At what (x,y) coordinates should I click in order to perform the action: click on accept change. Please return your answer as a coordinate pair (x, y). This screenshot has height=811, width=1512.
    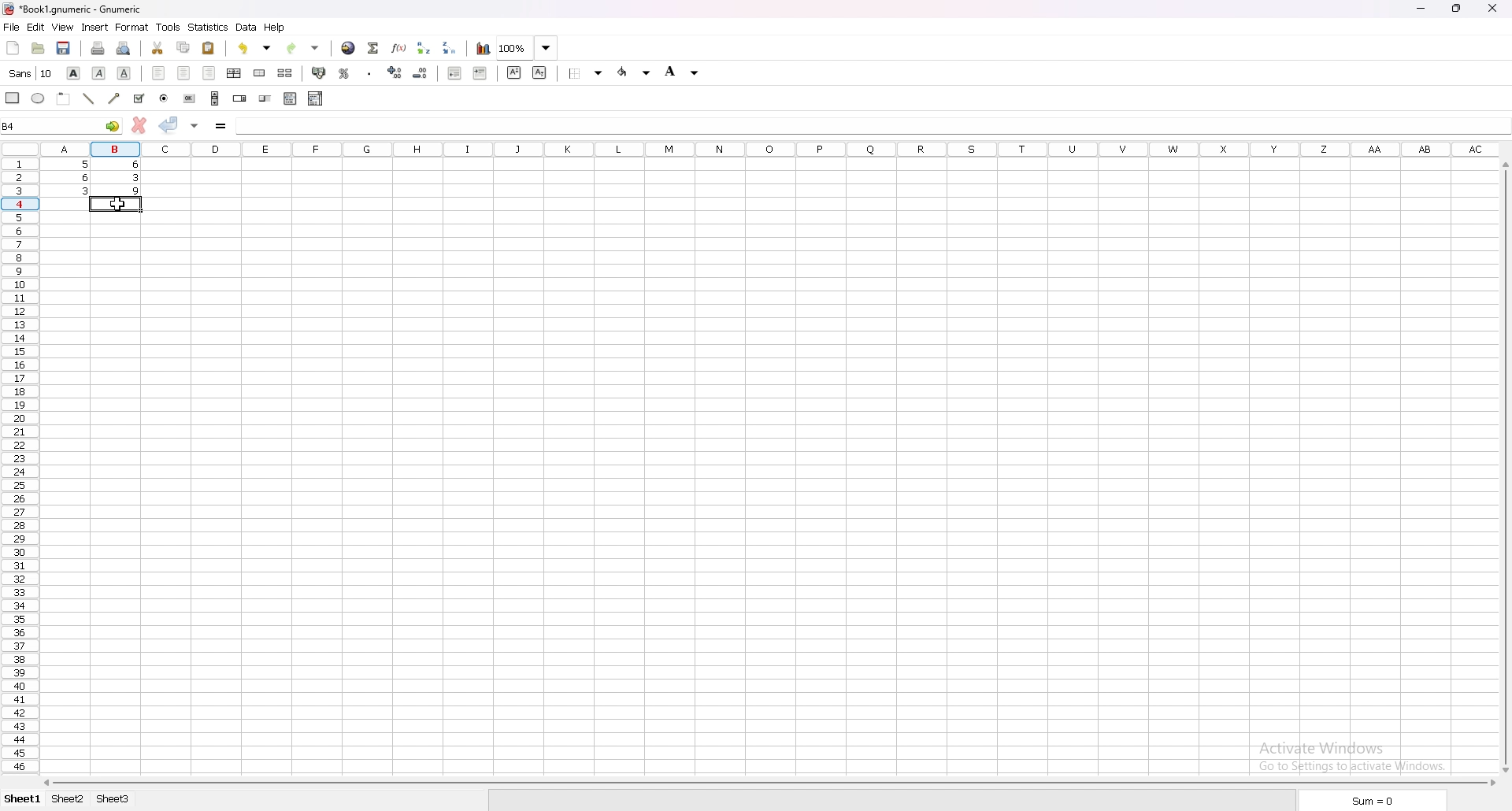
    Looking at the image, I should click on (169, 124).